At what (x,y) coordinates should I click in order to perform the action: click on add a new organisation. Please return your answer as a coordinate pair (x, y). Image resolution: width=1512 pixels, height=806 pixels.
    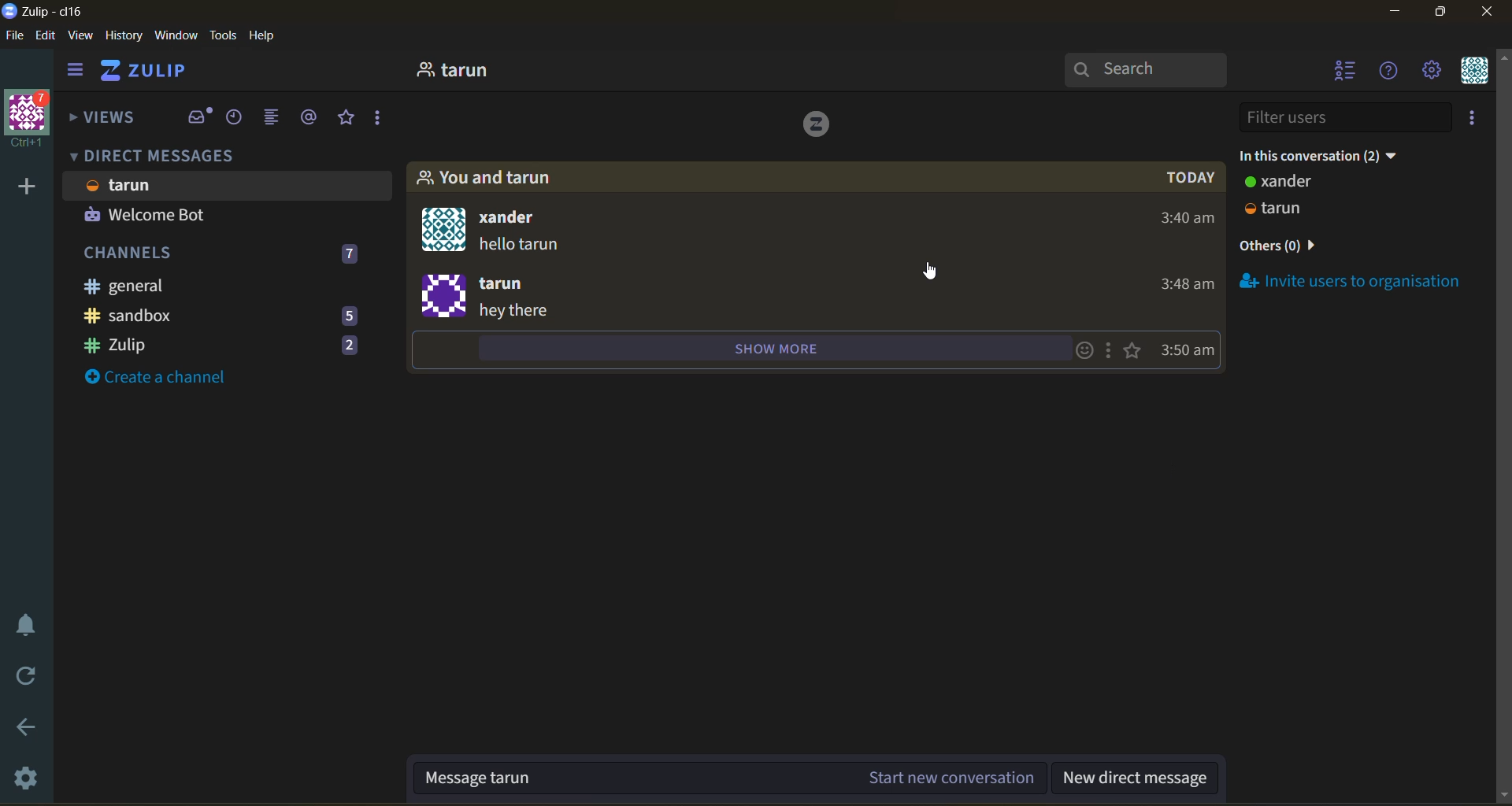
    Looking at the image, I should click on (23, 187).